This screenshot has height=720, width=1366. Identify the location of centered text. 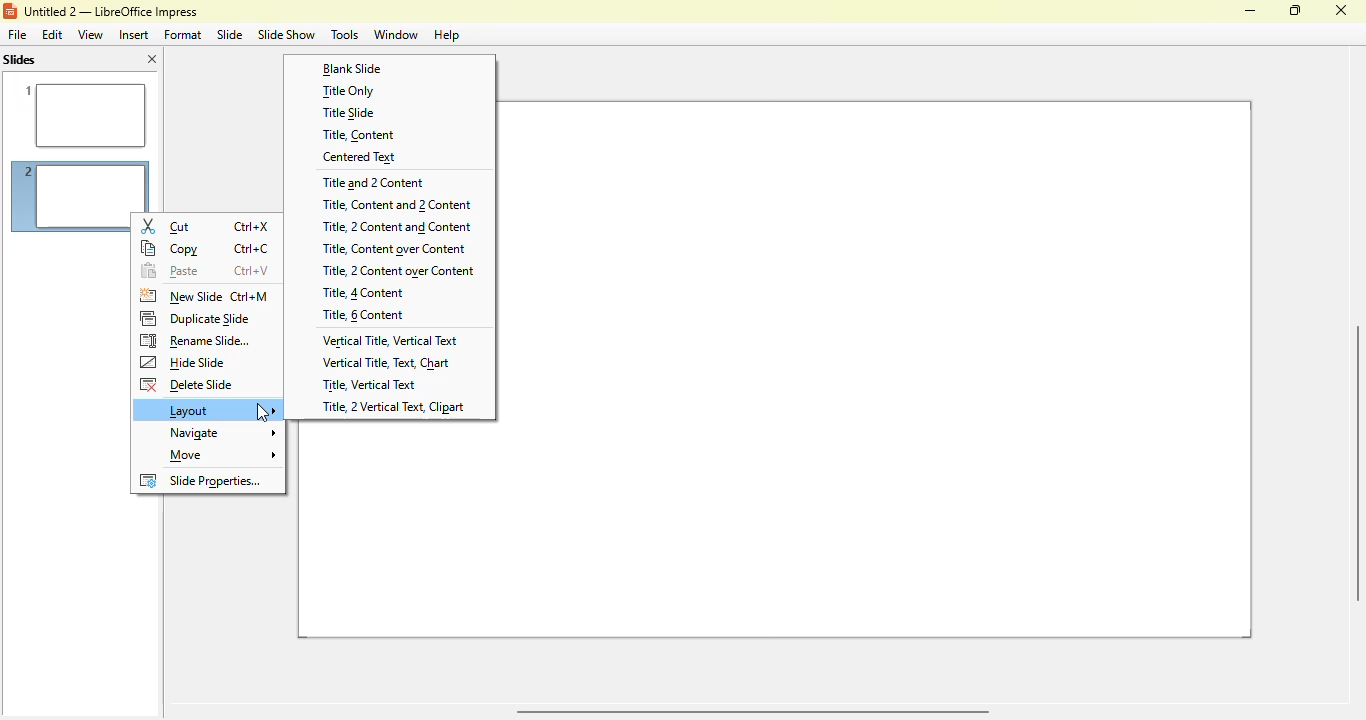
(358, 157).